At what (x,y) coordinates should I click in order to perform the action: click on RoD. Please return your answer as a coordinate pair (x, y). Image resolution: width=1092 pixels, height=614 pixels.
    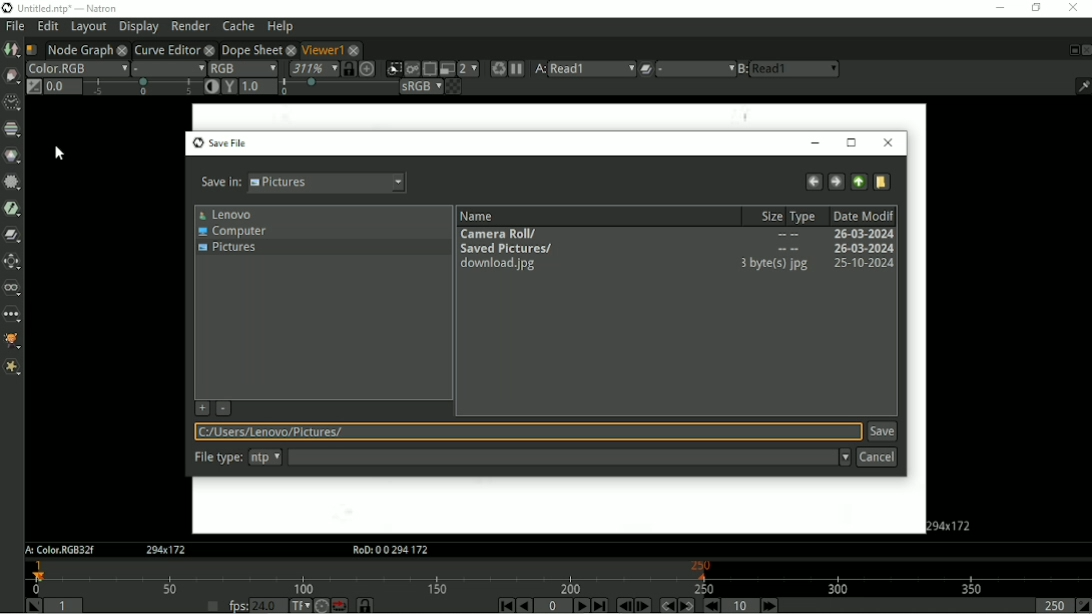
    Looking at the image, I should click on (390, 550).